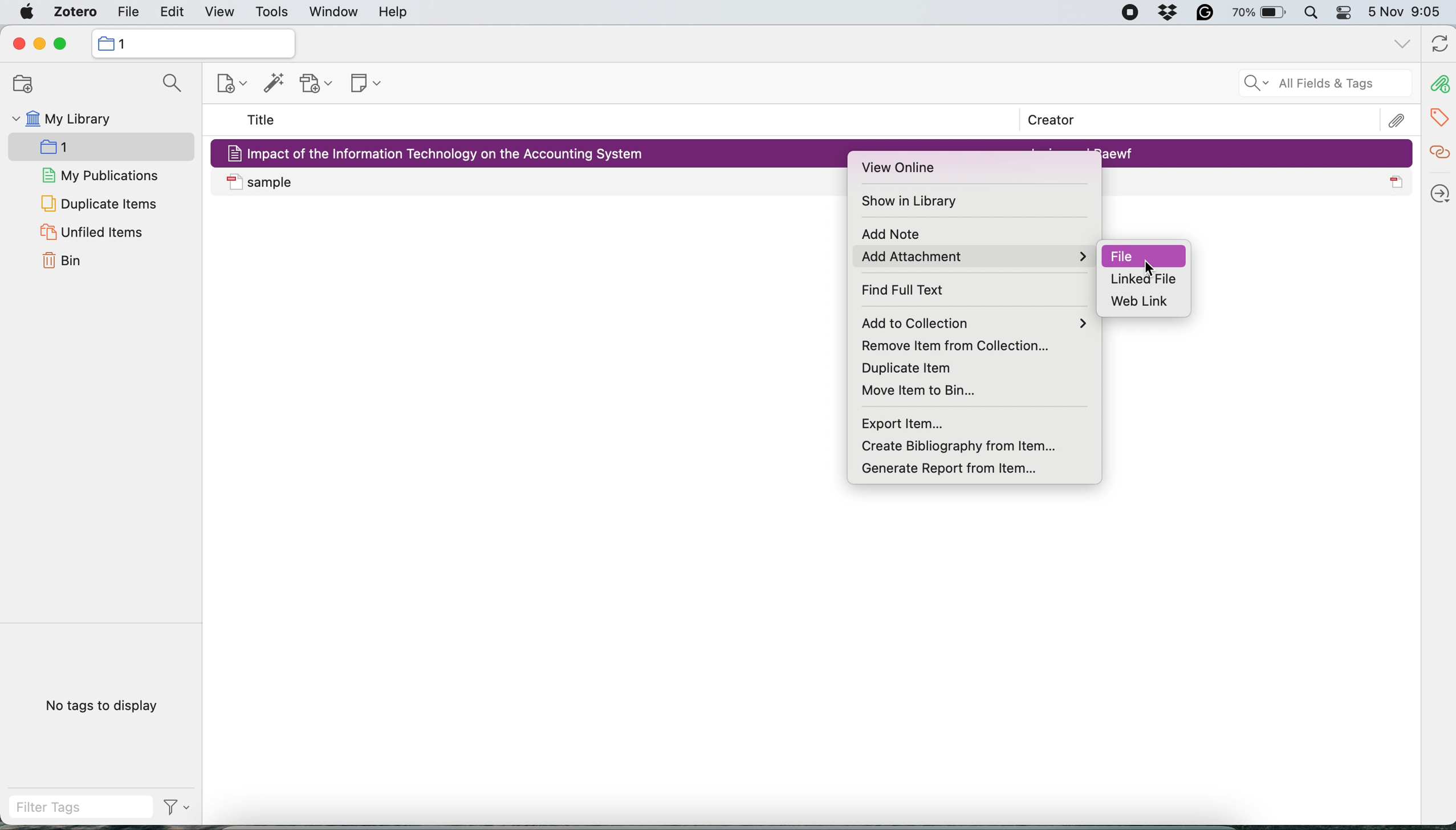 This screenshot has width=1456, height=830. What do you see at coordinates (967, 344) in the screenshot?
I see `remove item from collection` at bounding box center [967, 344].